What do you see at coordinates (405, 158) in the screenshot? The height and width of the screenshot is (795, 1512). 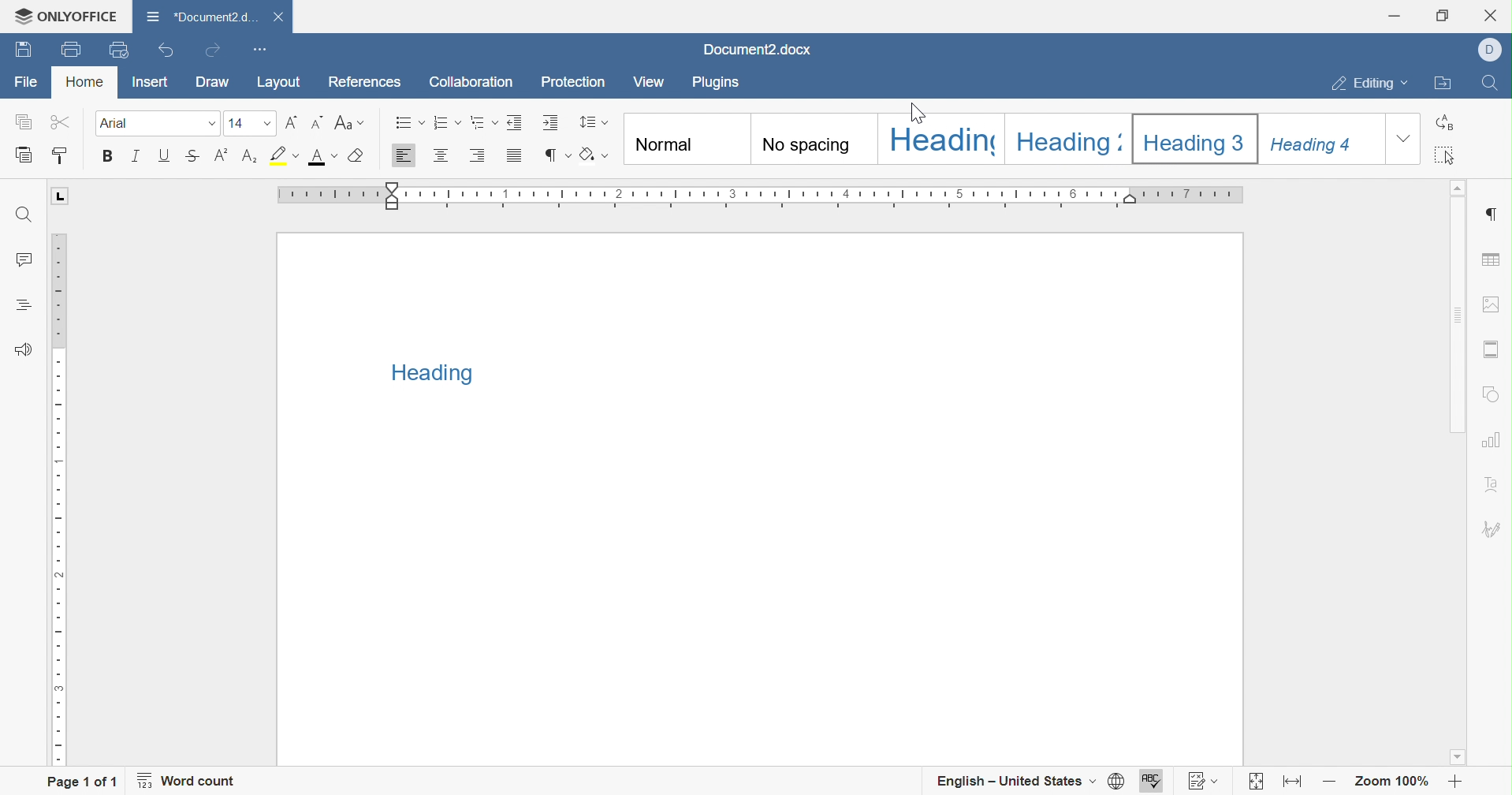 I see `Align Left` at bounding box center [405, 158].